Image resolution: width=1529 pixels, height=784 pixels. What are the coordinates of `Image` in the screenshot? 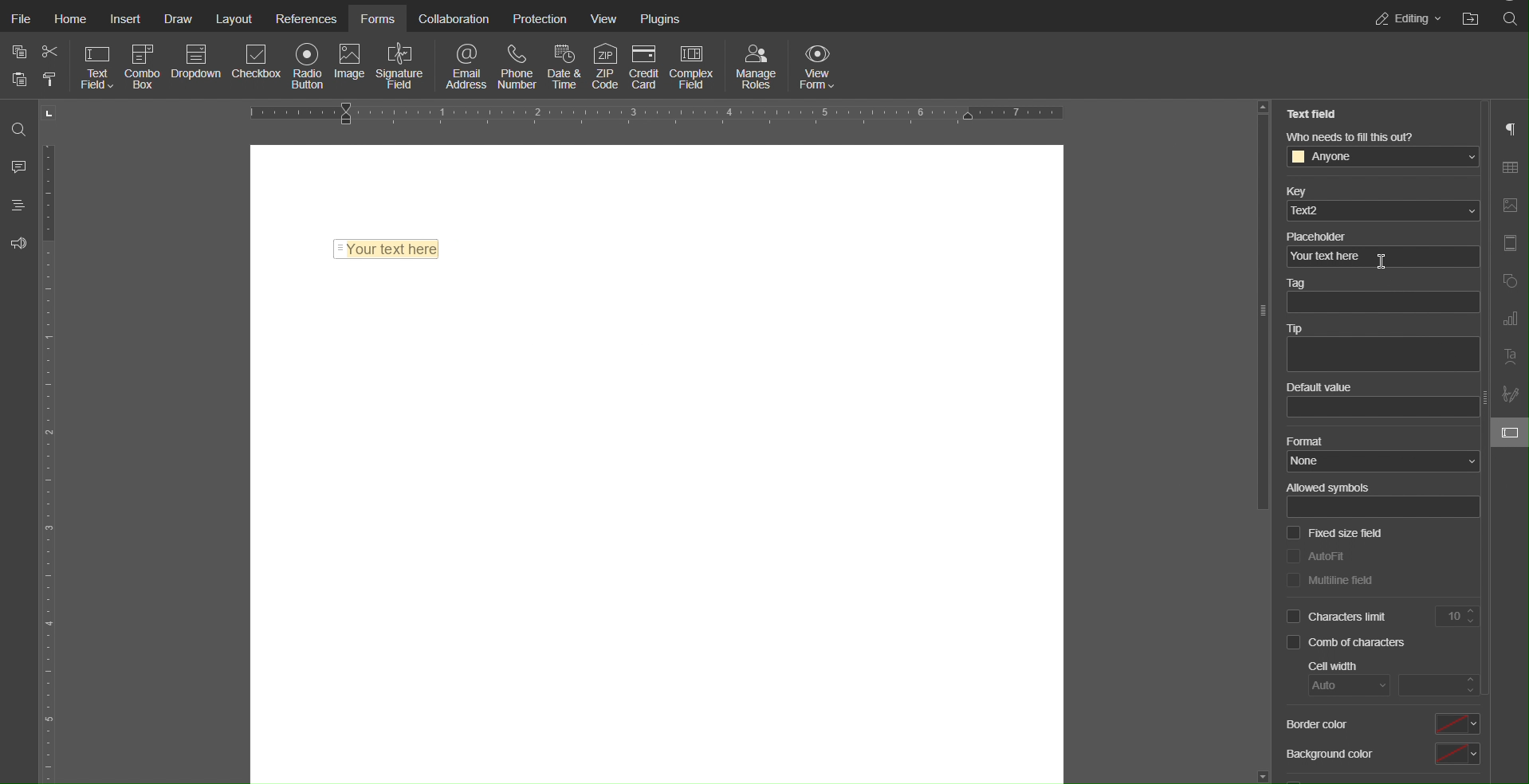 It's located at (349, 68).